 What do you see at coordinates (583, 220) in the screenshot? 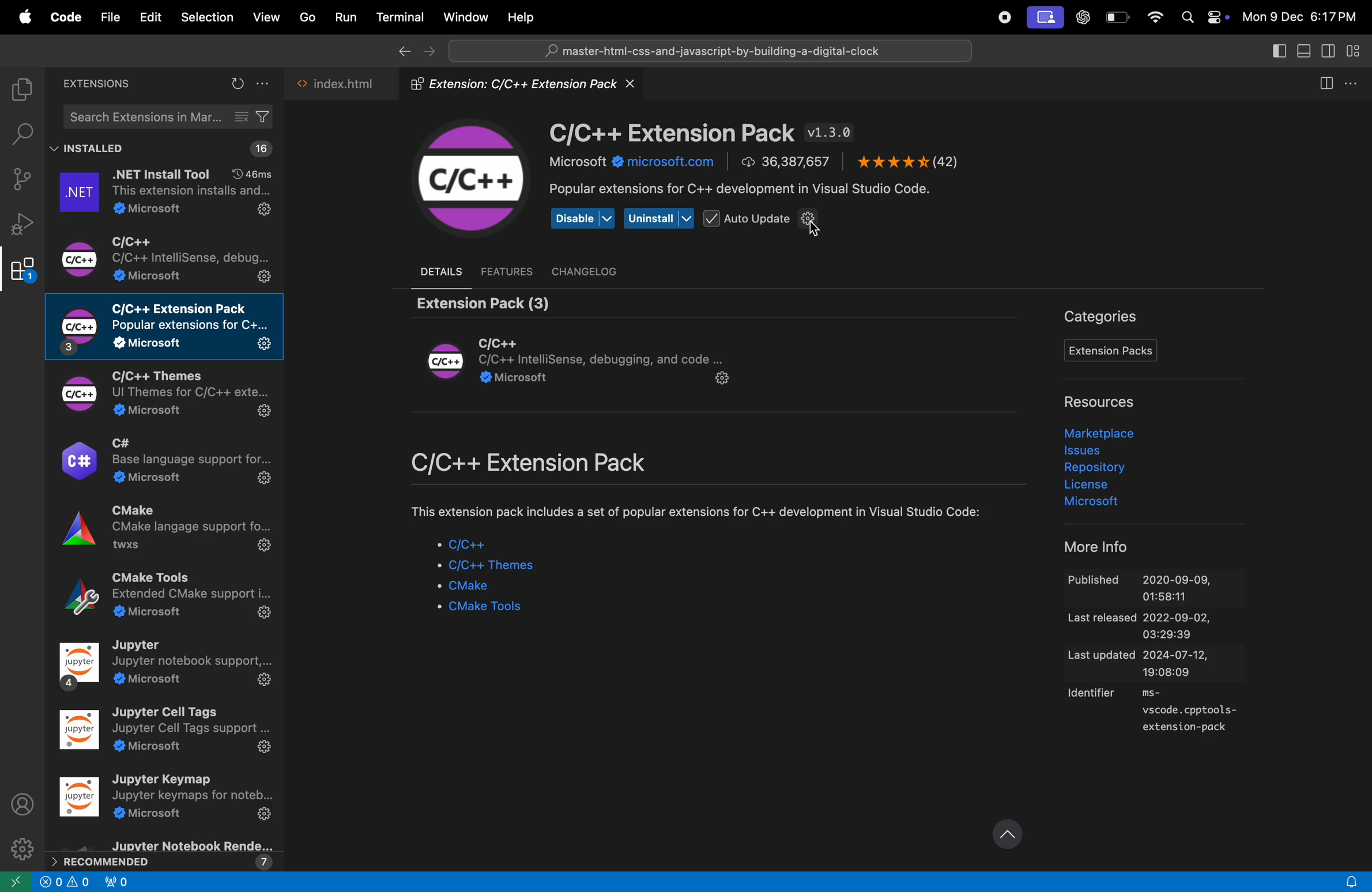
I see `Disable` at bounding box center [583, 220].